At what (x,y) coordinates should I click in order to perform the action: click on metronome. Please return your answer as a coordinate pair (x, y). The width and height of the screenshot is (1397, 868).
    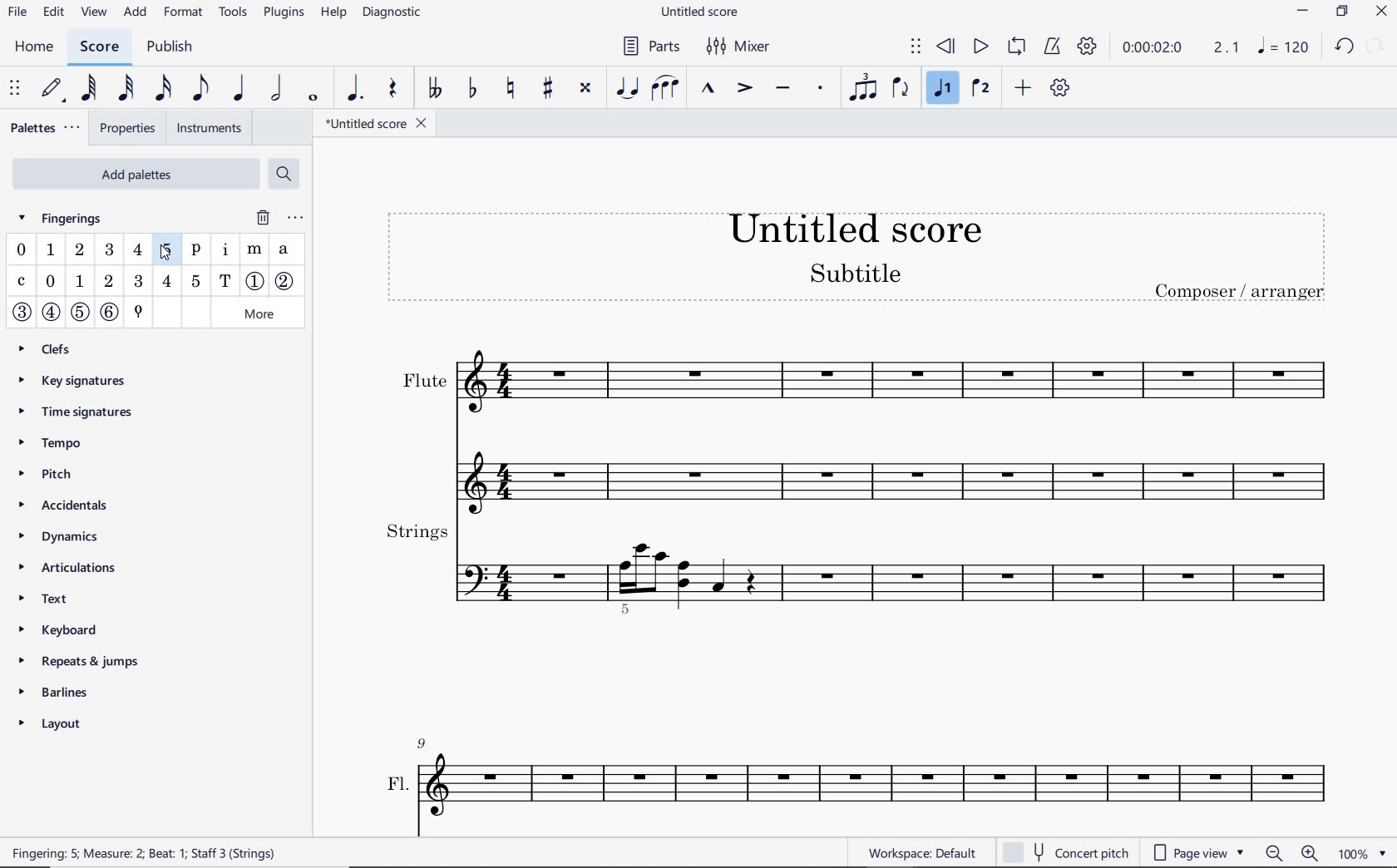
    Looking at the image, I should click on (1052, 49).